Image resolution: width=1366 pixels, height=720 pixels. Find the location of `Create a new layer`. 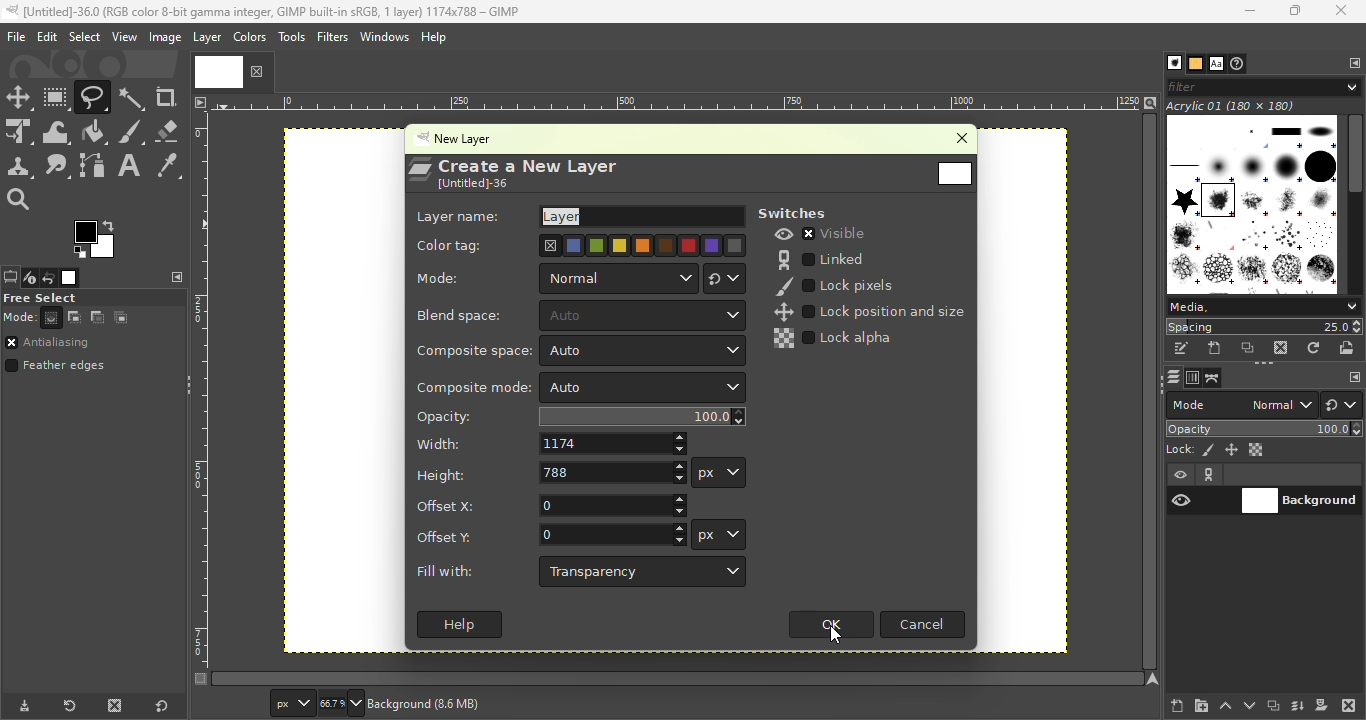

Create a new layer is located at coordinates (1177, 703).